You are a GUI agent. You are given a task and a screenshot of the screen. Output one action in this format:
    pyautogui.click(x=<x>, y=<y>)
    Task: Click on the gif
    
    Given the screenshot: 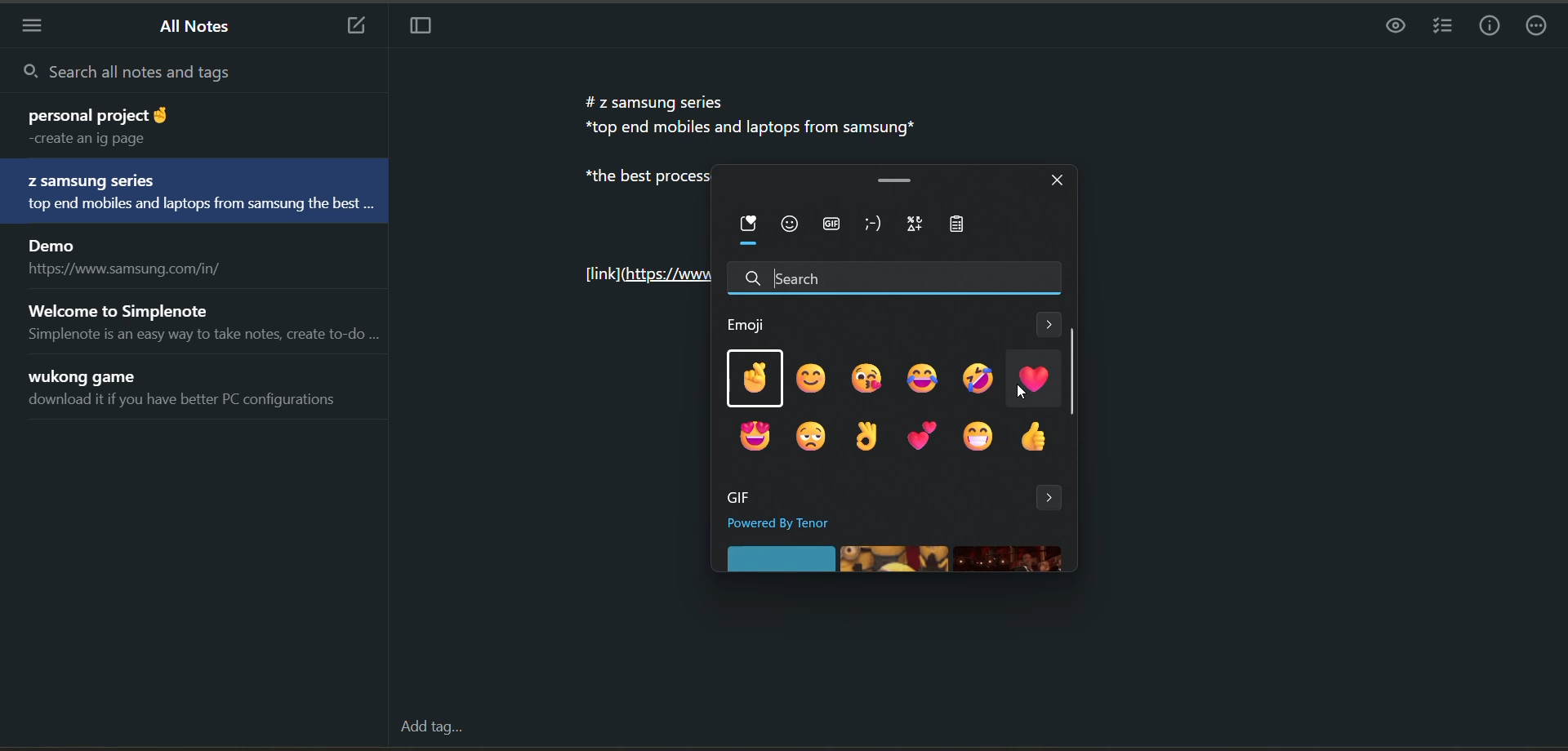 What is the action you would take?
    pyautogui.click(x=831, y=226)
    